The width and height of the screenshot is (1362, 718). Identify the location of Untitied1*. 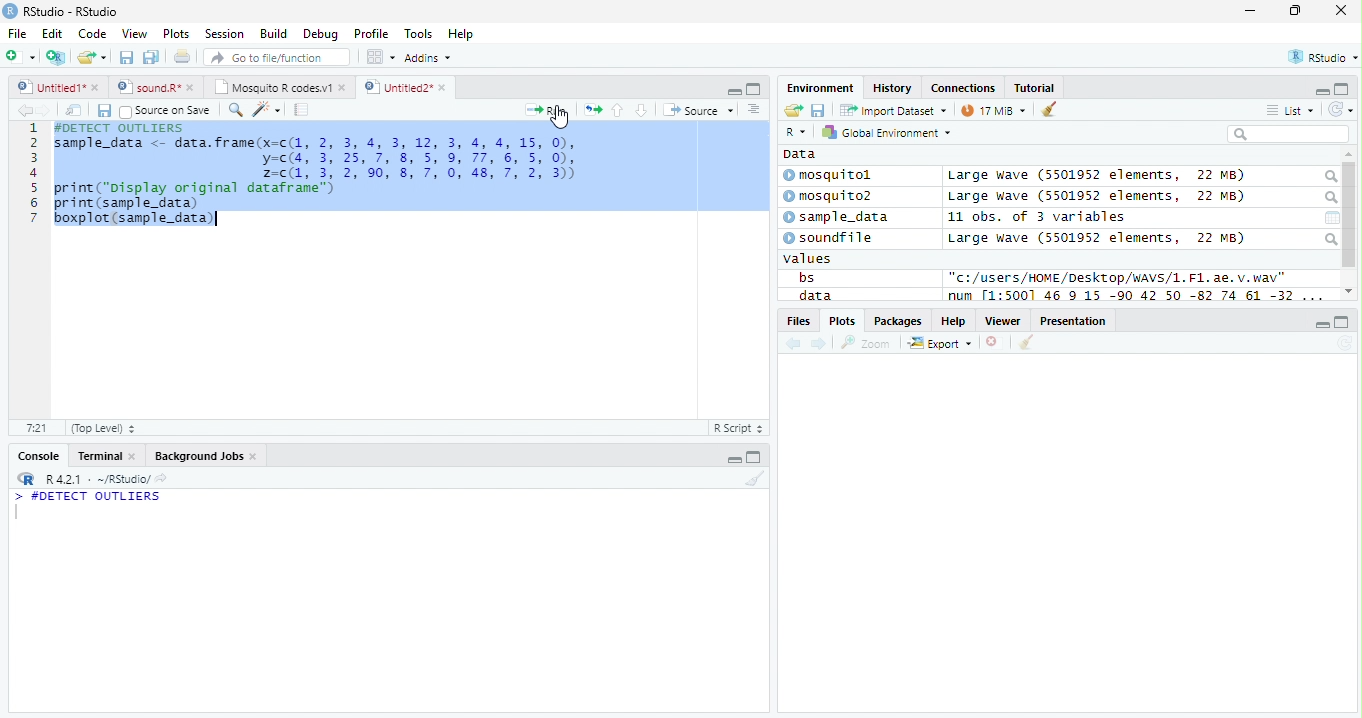
(58, 87).